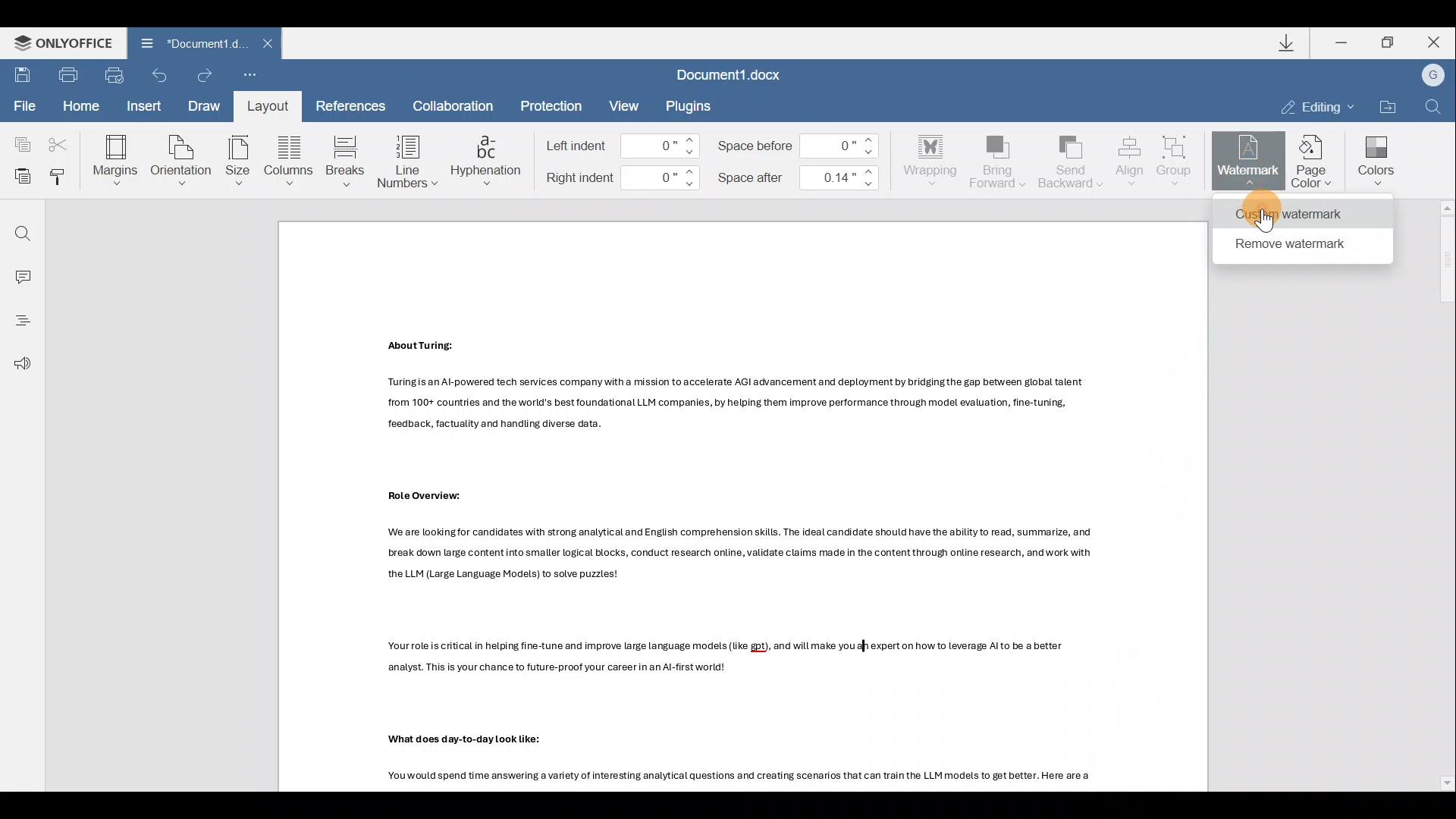  What do you see at coordinates (183, 158) in the screenshot?
I see `Orientation` at bounding box center [183, 158].